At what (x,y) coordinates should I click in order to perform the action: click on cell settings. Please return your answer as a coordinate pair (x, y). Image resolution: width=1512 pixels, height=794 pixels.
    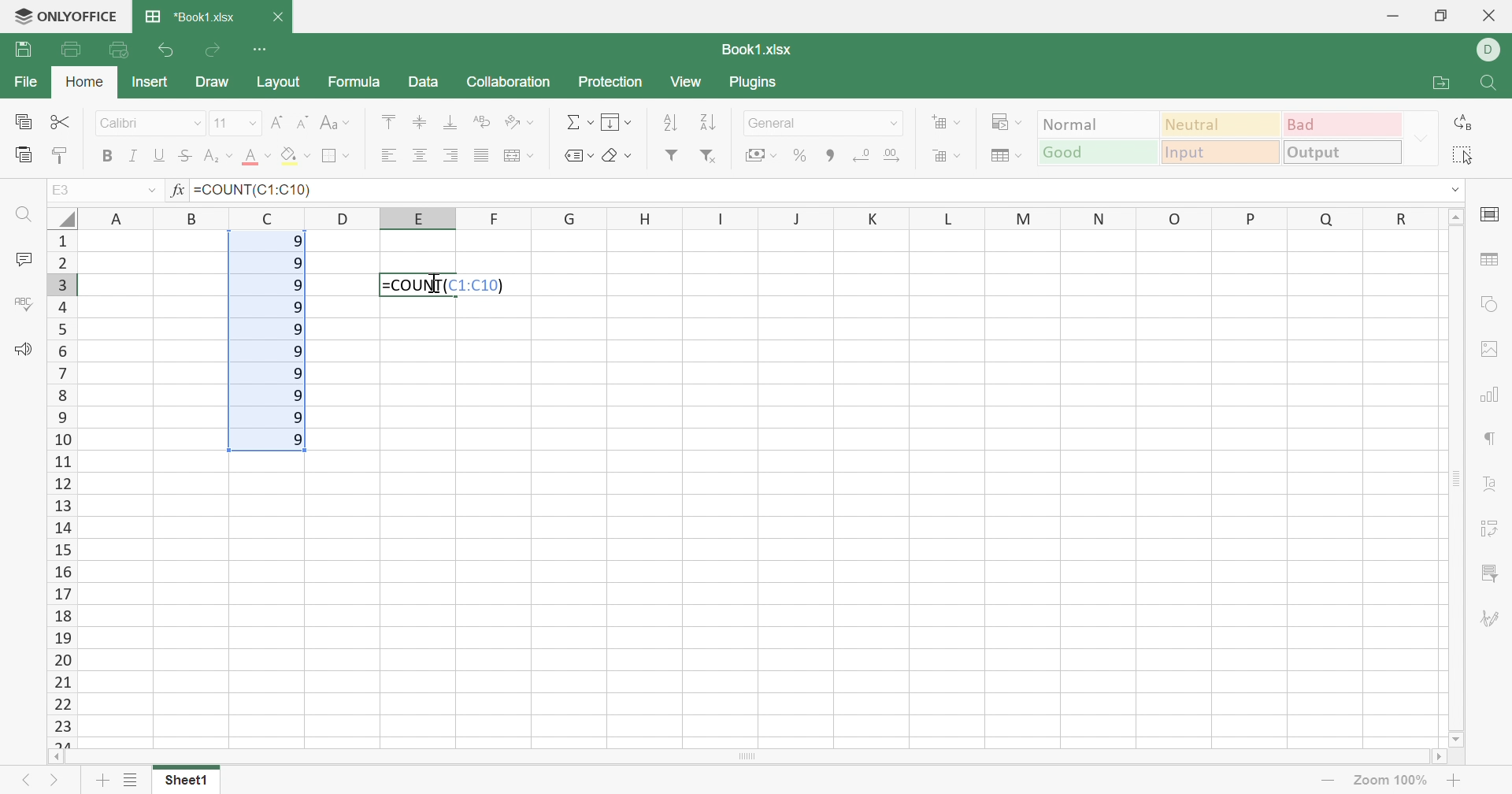
    Looking at the image, I should click on (1491, 217).